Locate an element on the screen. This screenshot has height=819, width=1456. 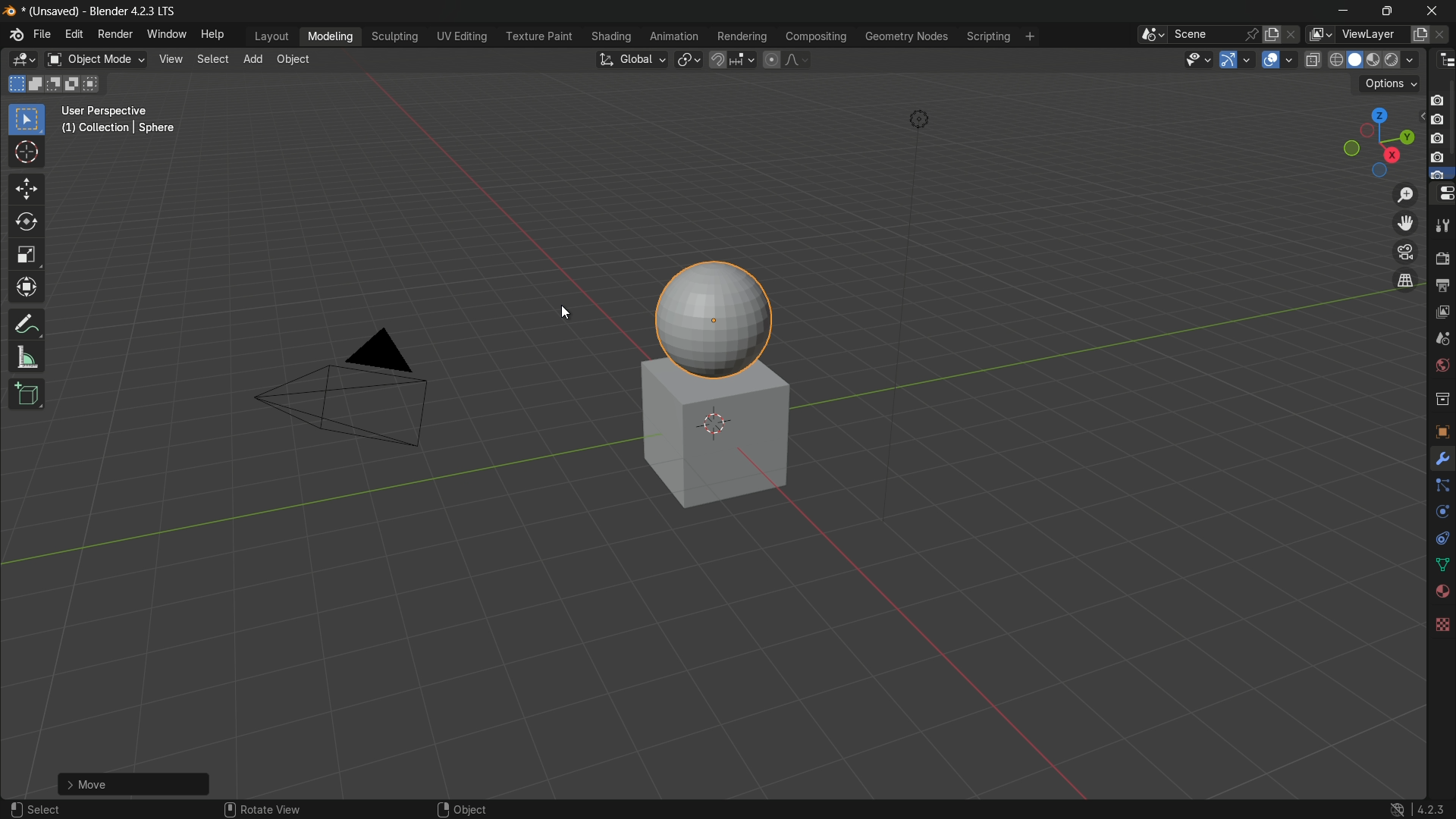
tools is located at coordinates (1442, 223).